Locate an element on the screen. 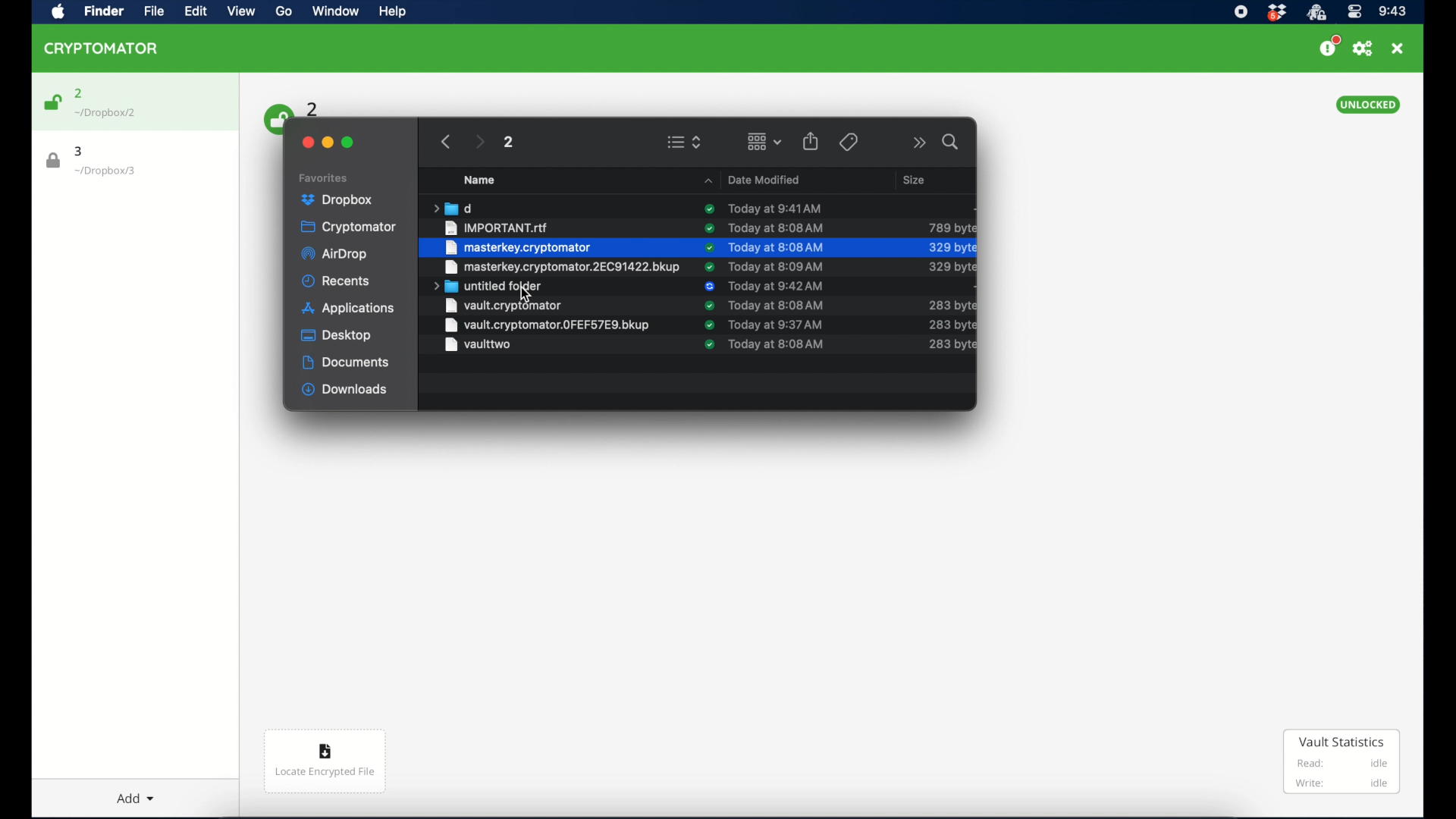  sync is located at coordinates (710, 287).